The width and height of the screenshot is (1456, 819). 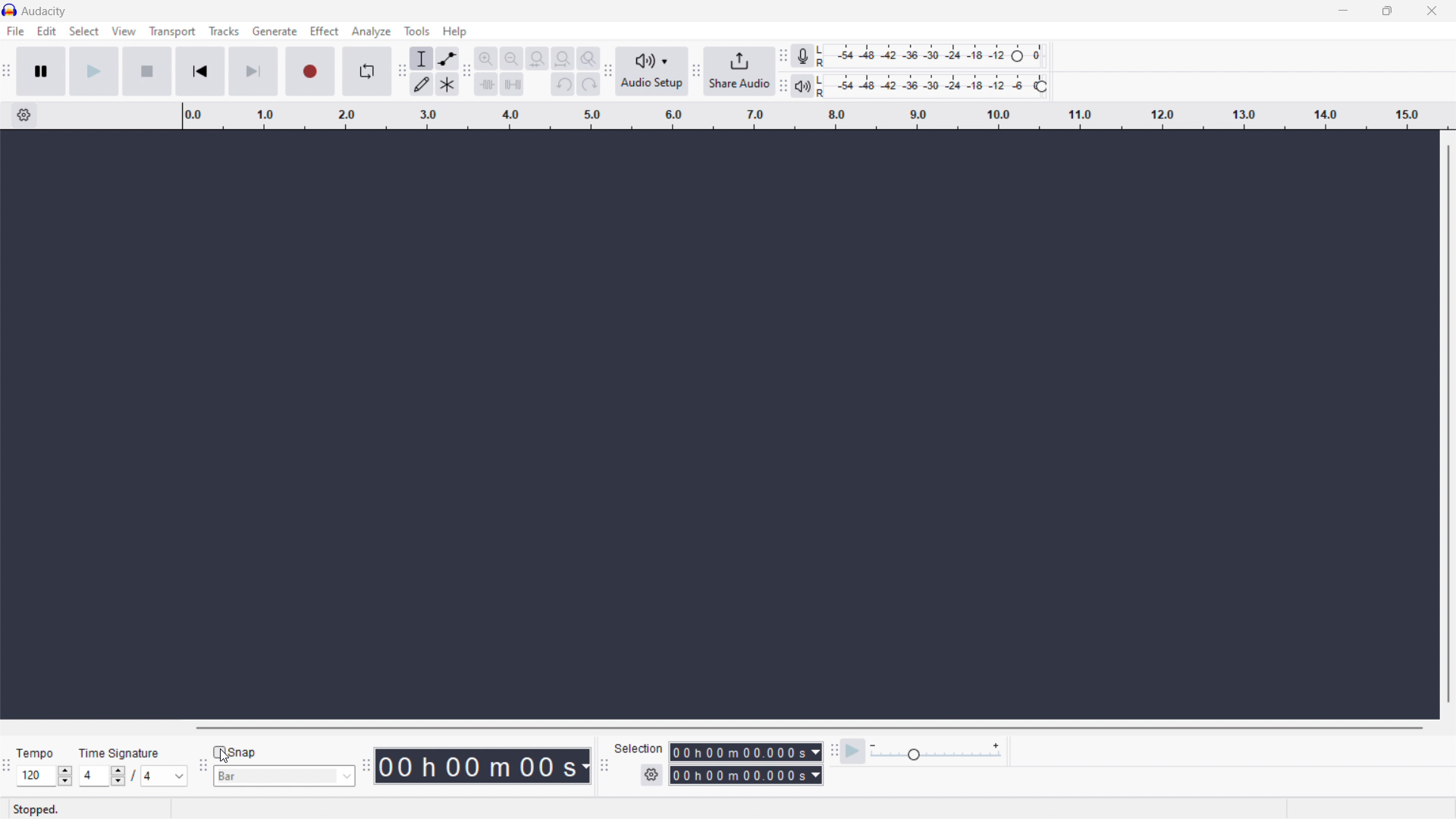 I want to click on toggle zoom, so click(x=588, y=58).